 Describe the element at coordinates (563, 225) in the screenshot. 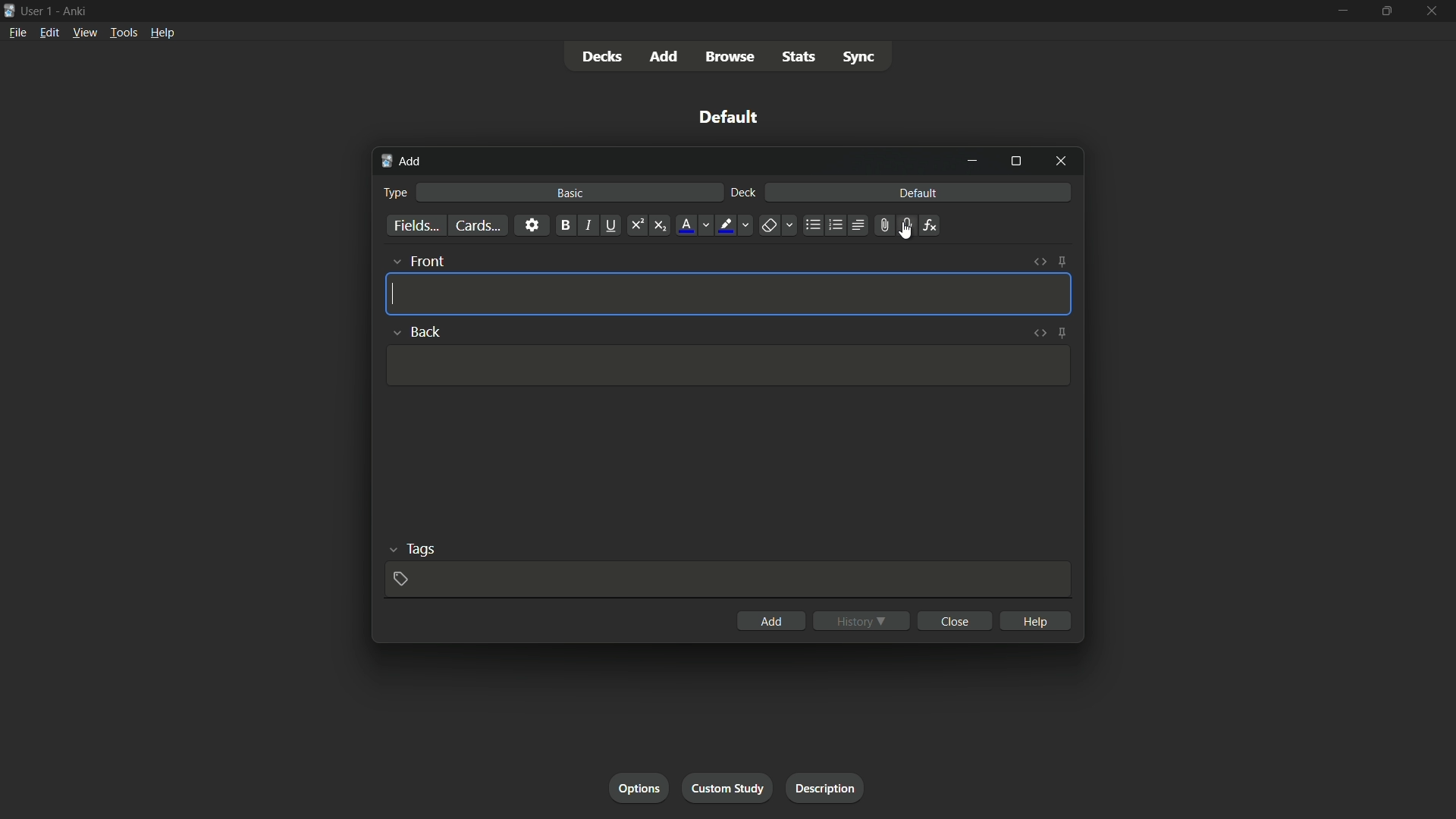

I see `bold` at that location.